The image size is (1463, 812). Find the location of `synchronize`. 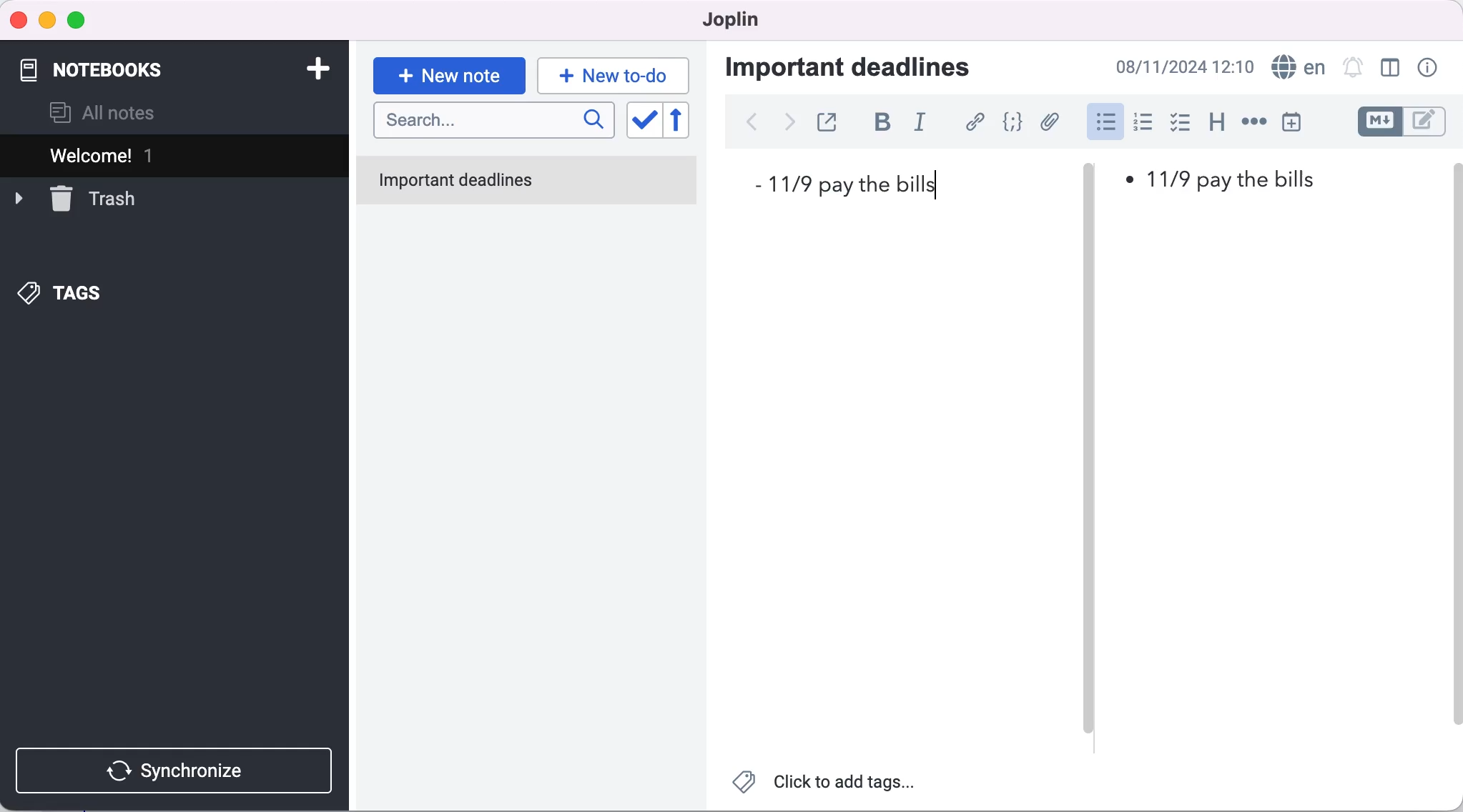

synchronize is located at coordinates (179, 770).